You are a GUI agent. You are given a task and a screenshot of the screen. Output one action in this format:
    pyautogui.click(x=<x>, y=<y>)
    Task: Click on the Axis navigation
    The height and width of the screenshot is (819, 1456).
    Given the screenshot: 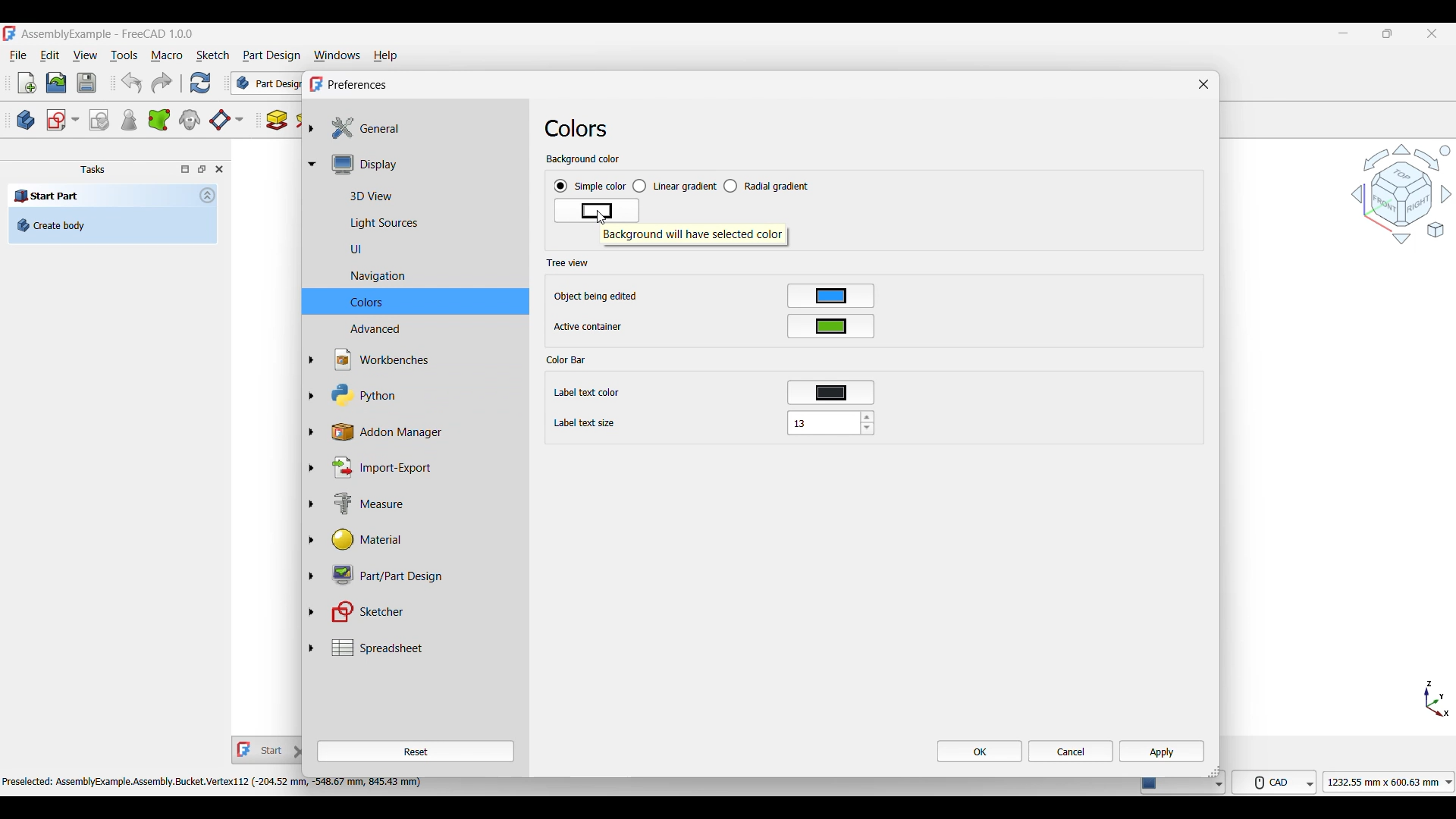 What is the action you would take?
    pyautogui.click(x=1437, y=698)
    